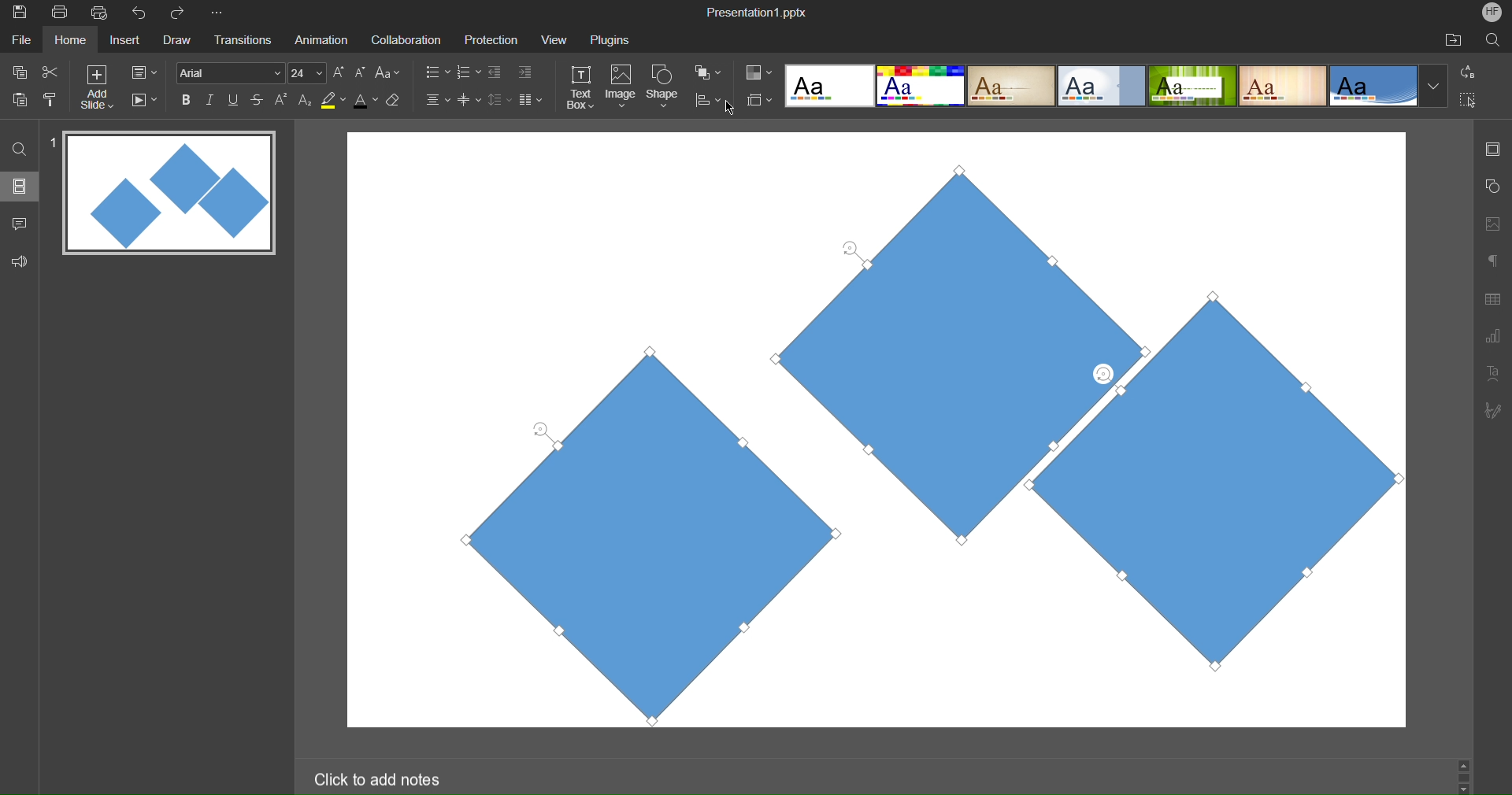 This screenshot has height=795, width=1512. What do you see at coordinates (50, 71) in the screenshot?
I see `cut` at bounding box center [50, 71].